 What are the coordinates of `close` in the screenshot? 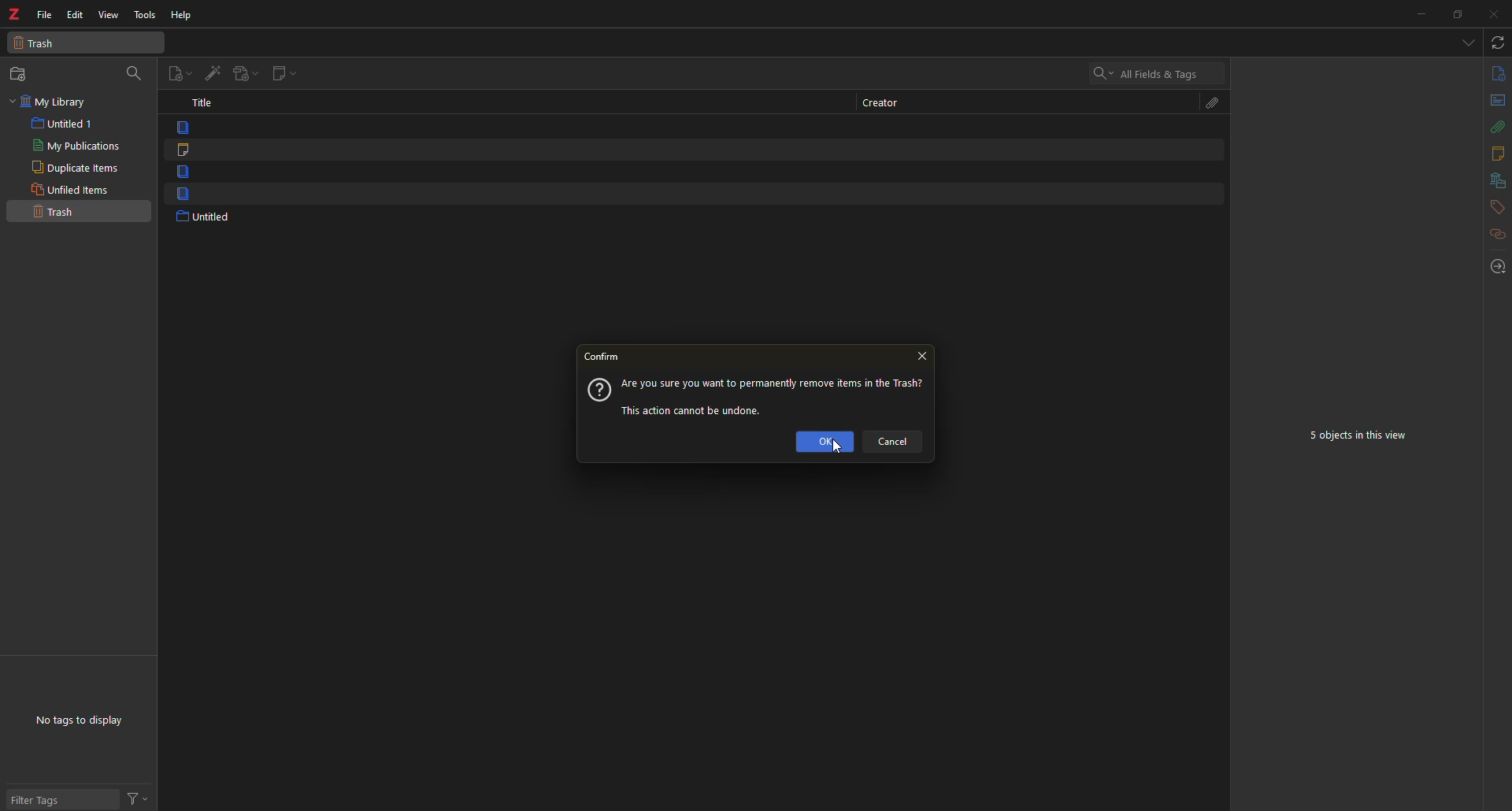 It's located at (1497, 14).